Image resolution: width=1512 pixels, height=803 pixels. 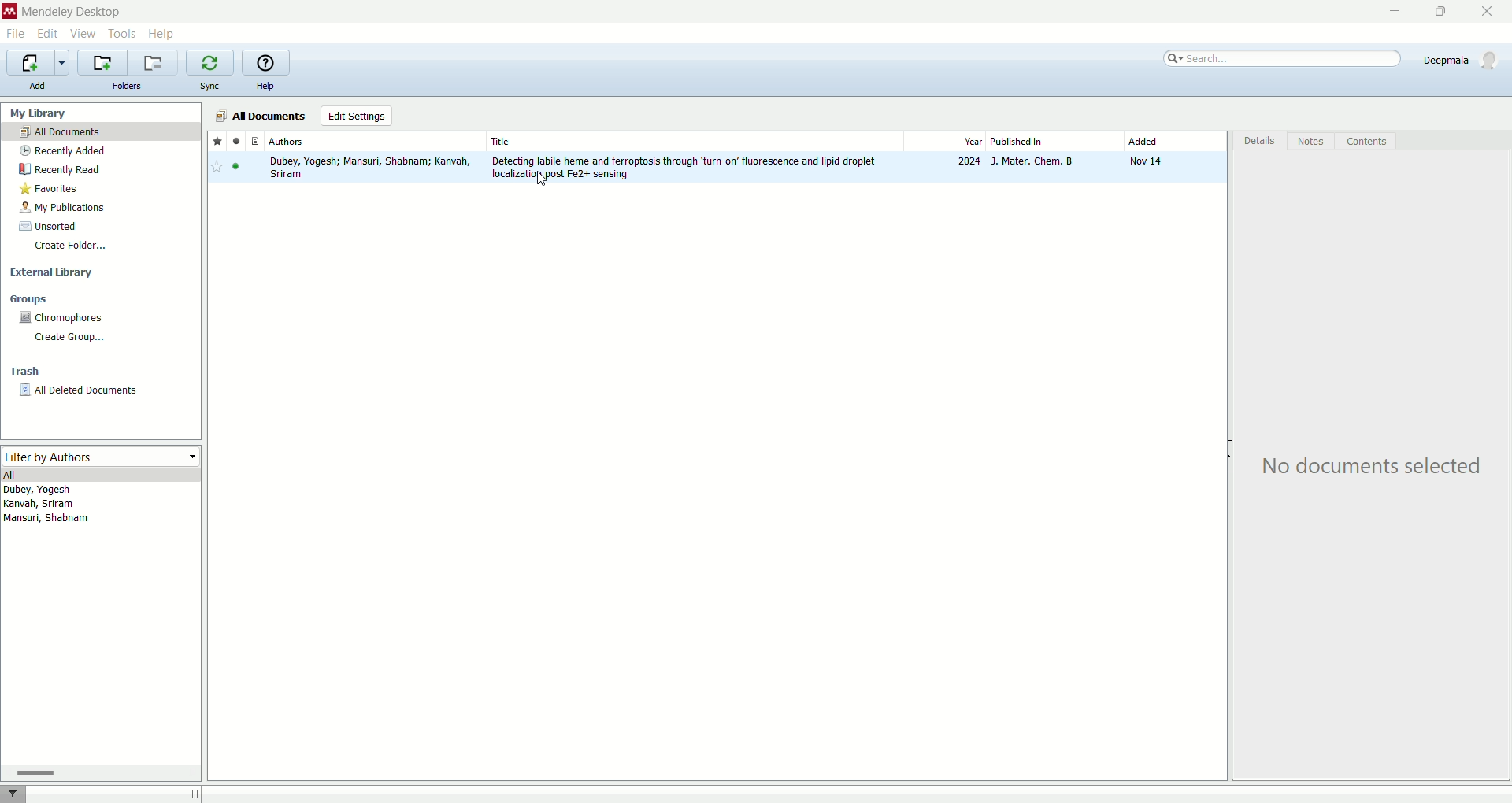 I want to click on remove current library, so click(x=154, y=62).